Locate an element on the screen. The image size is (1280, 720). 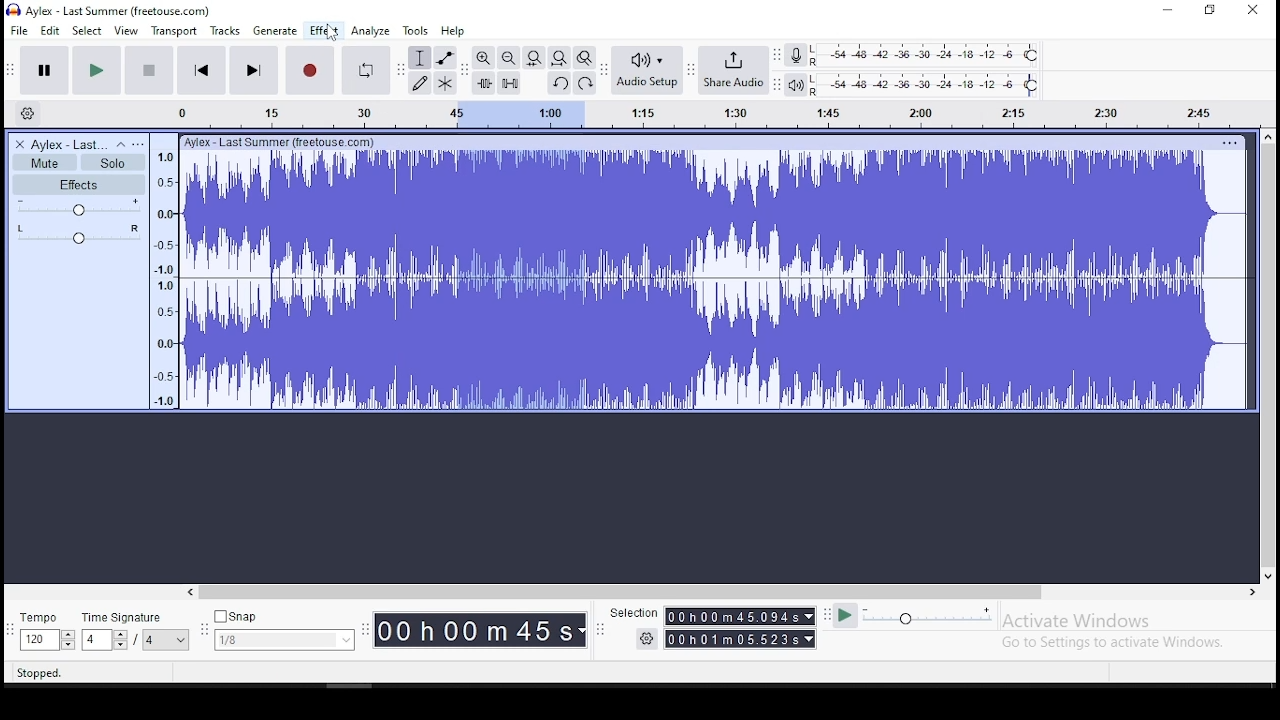
generate is located at coordinates (276, 31).